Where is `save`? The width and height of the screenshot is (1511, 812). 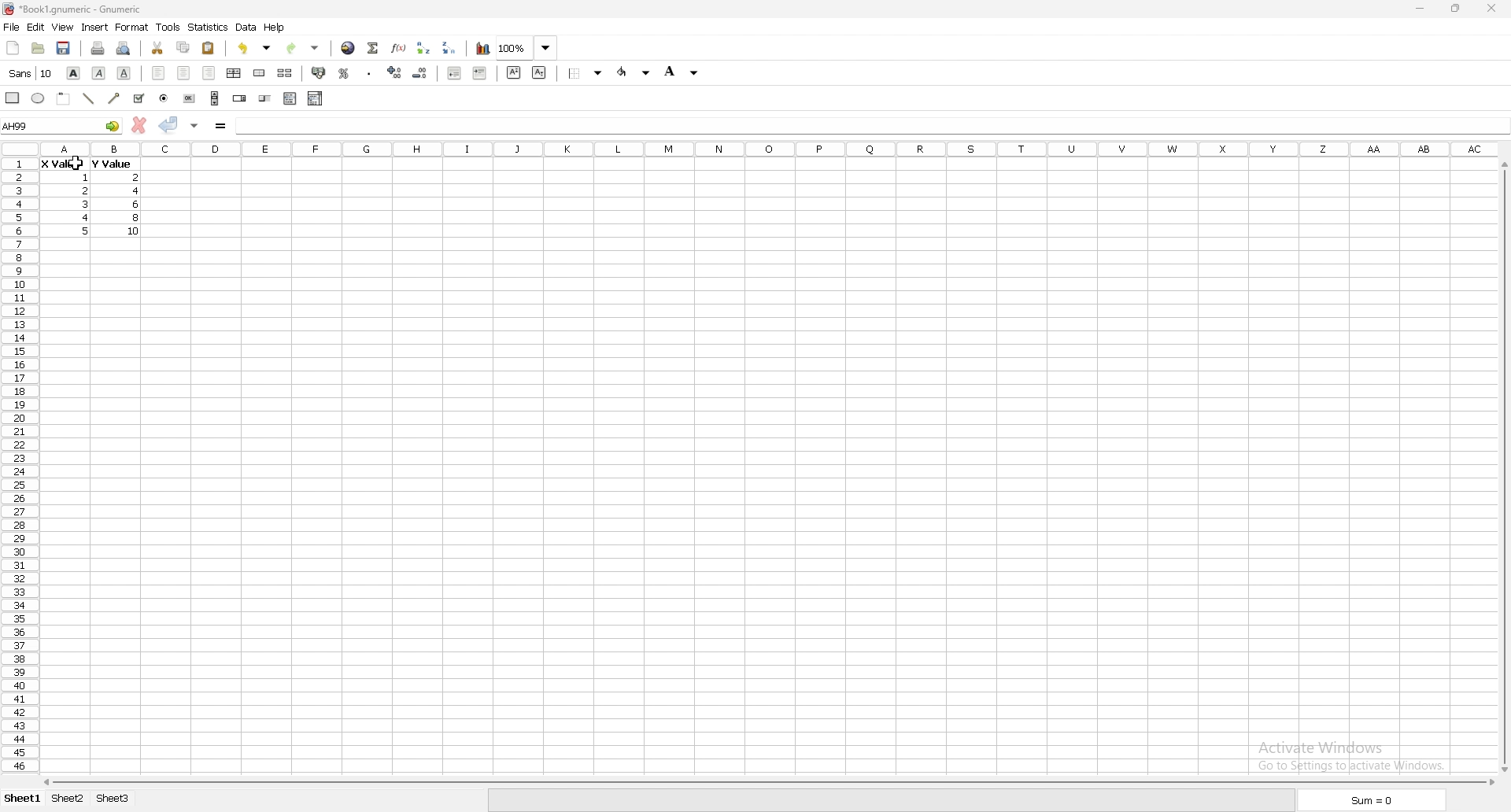
save is located at coordinates (63, 48).